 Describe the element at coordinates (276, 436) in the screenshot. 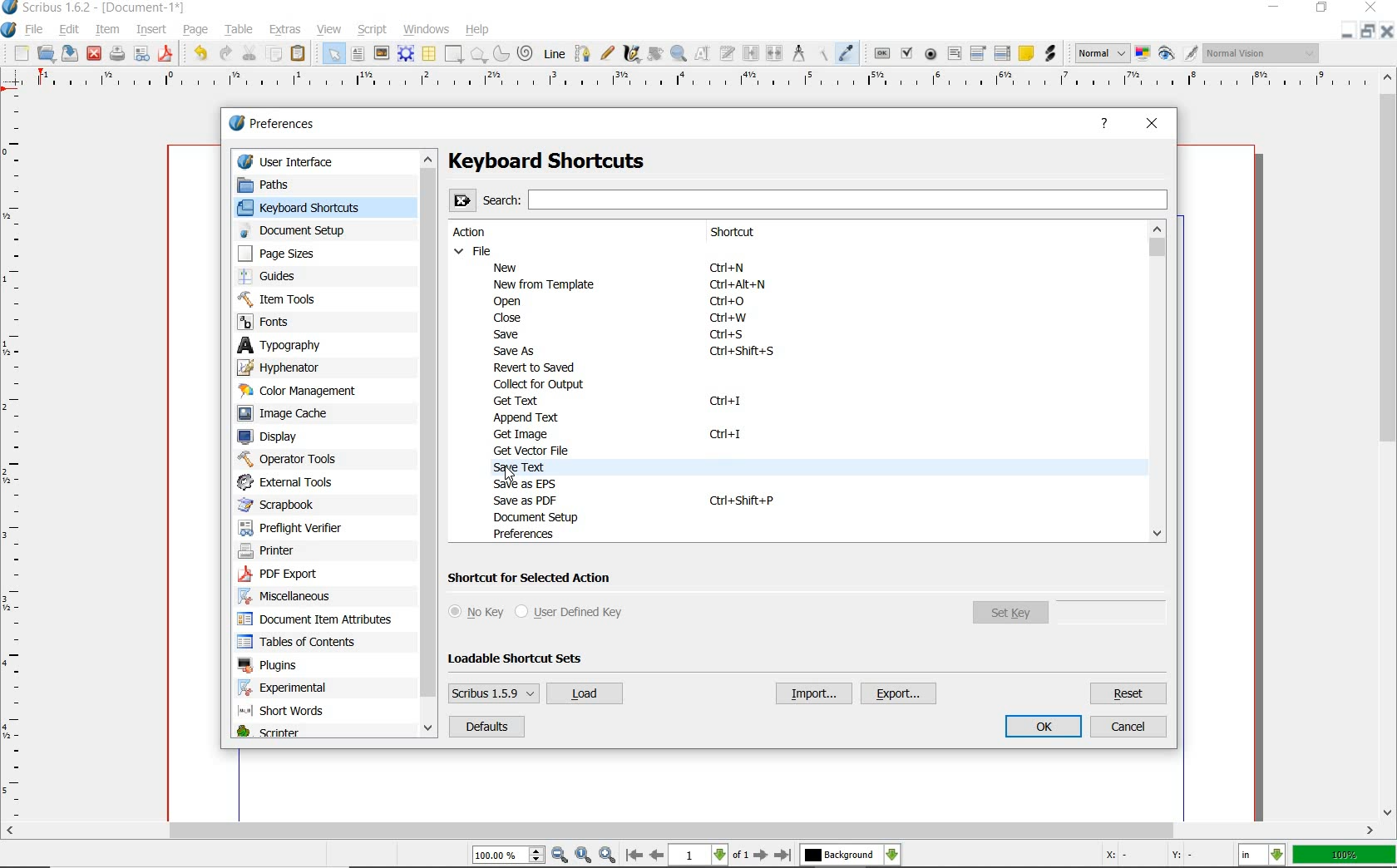

I see `display` at that location.